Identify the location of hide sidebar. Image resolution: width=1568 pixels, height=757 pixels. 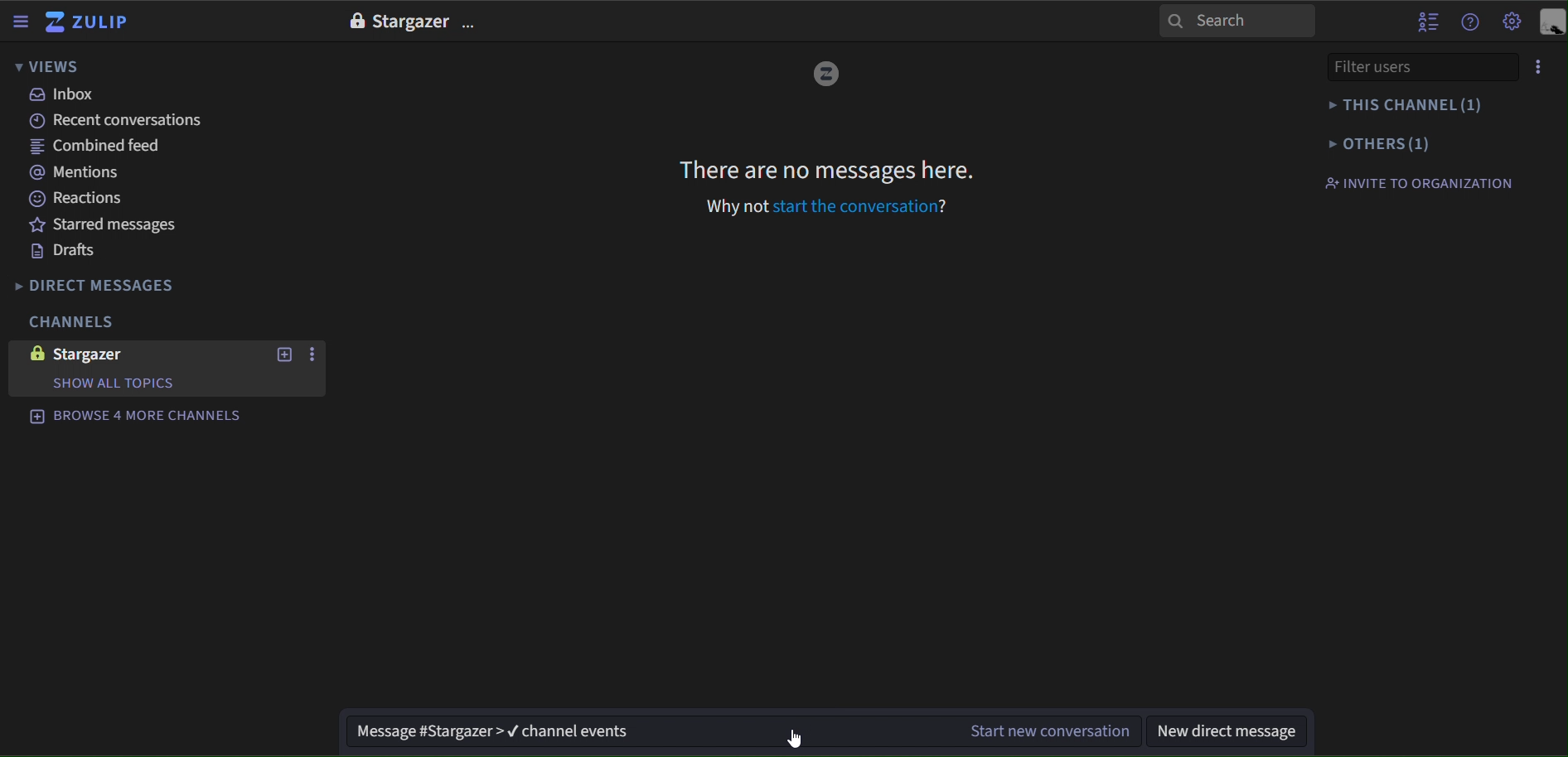
(22, 23).